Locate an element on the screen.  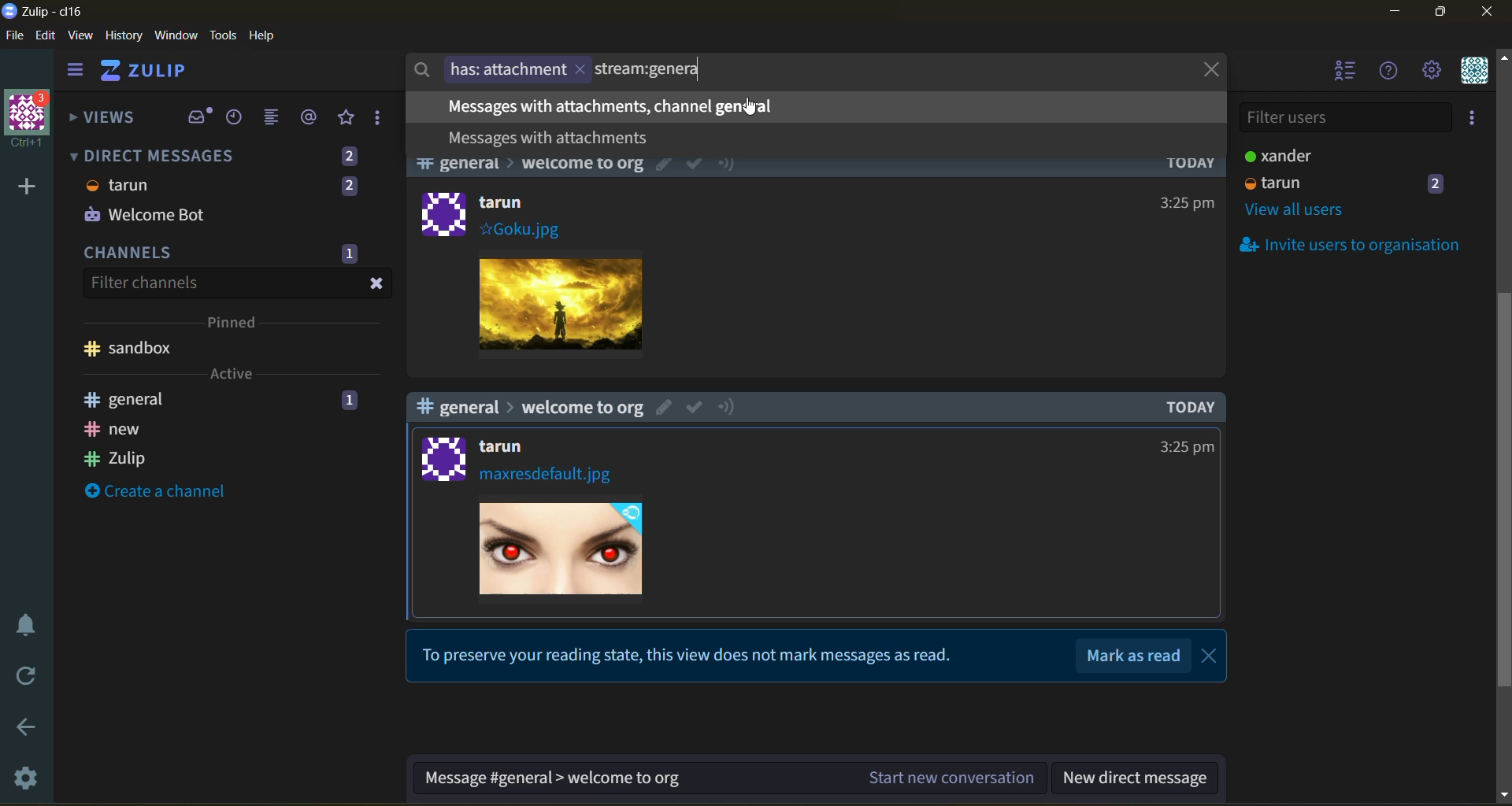
settings is located at coordinates (31, 775).